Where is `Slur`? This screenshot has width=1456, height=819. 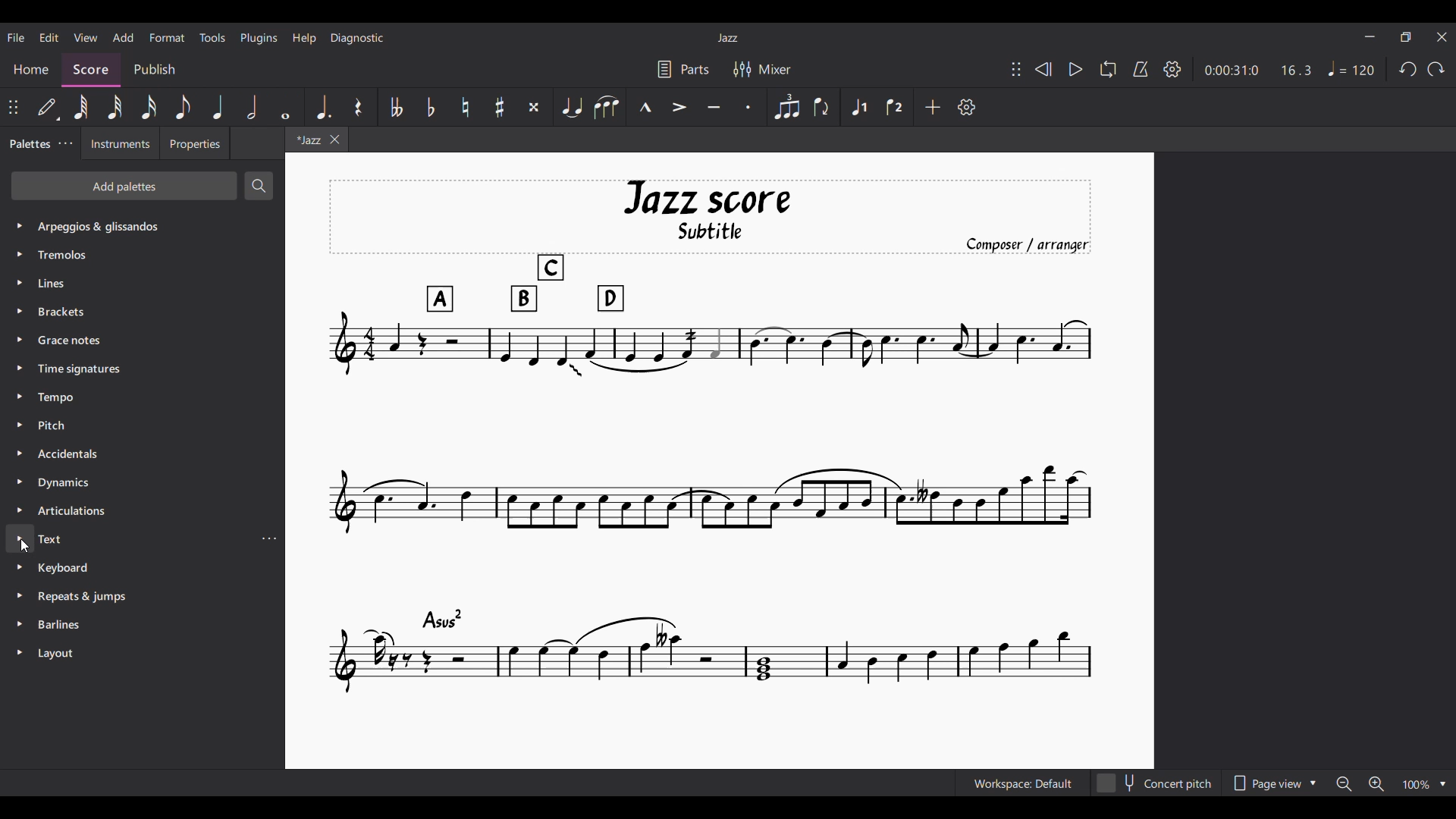 Slur is located at coordinates (609, 108).